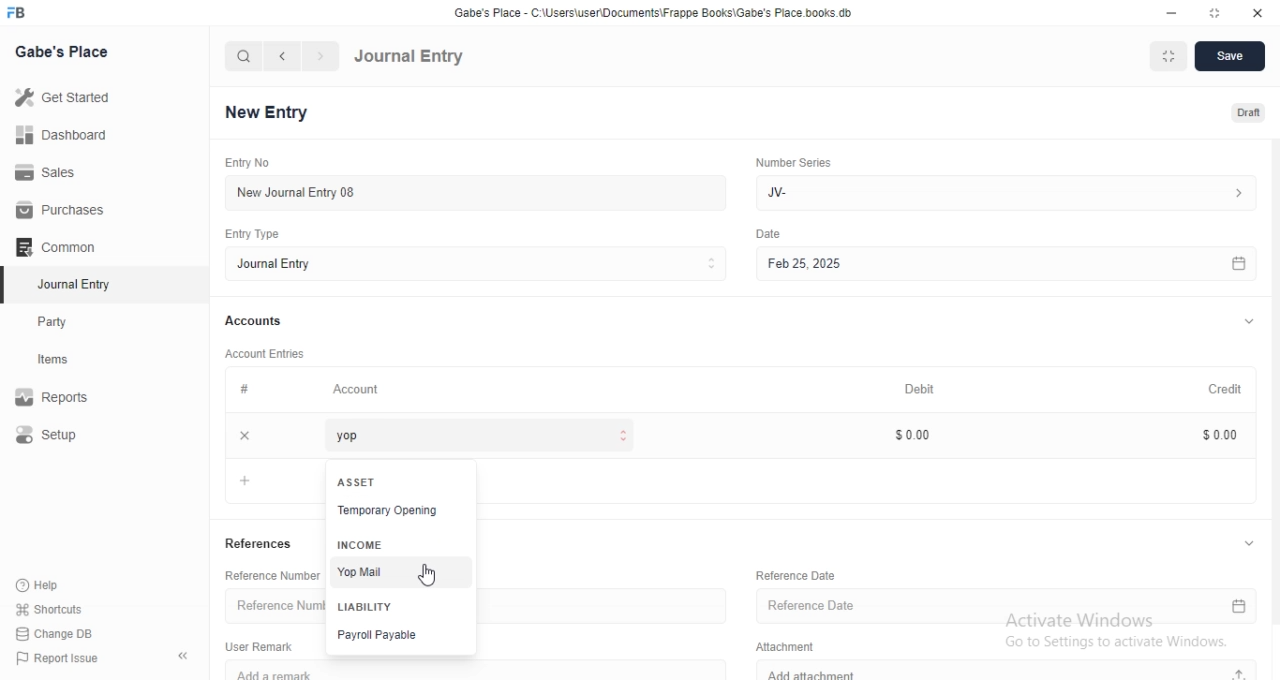 The image size is (1280, 680). I want to click on Credit, so click(1216, 389).